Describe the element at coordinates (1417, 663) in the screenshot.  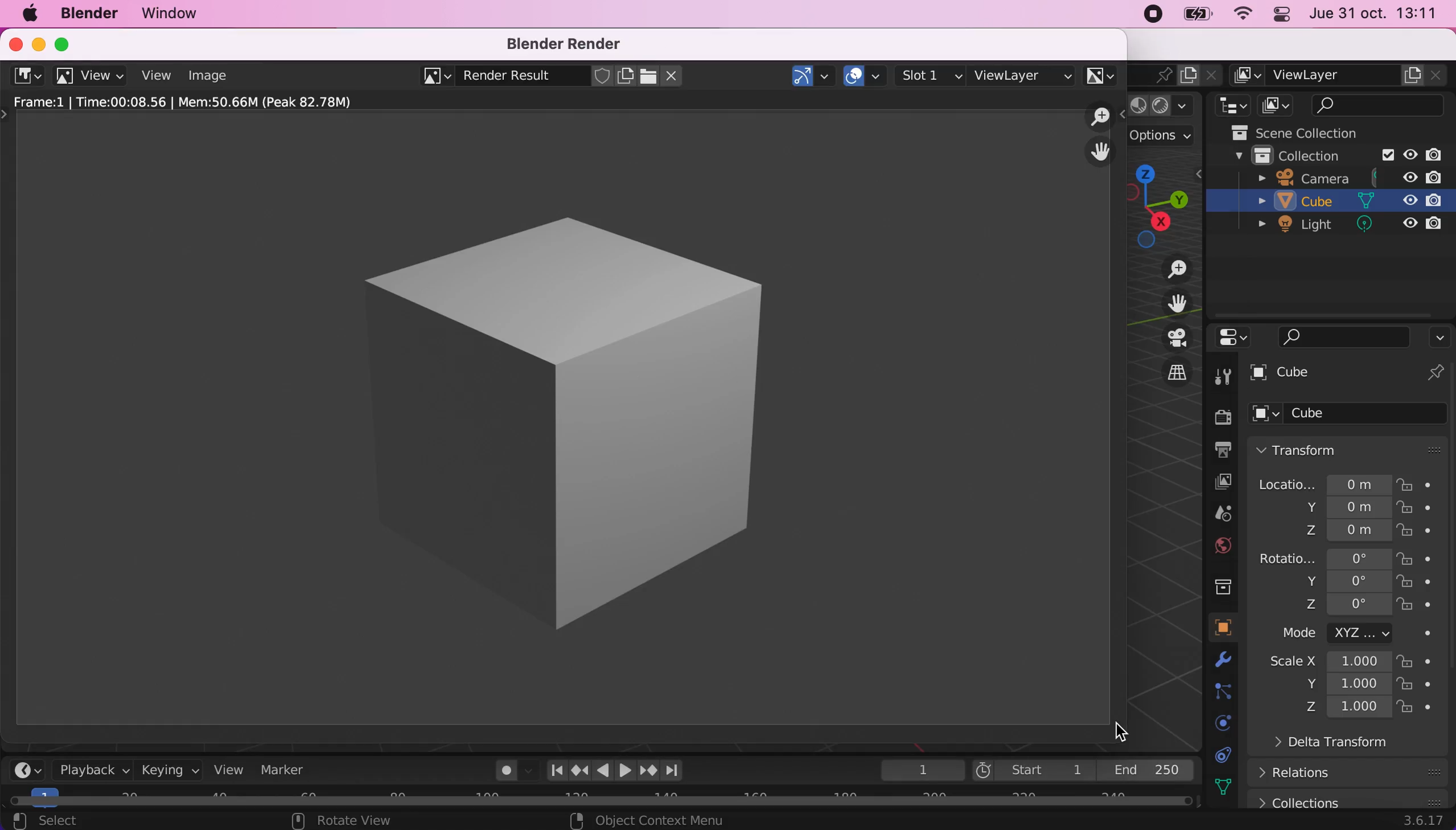
I see `lock` at that location.